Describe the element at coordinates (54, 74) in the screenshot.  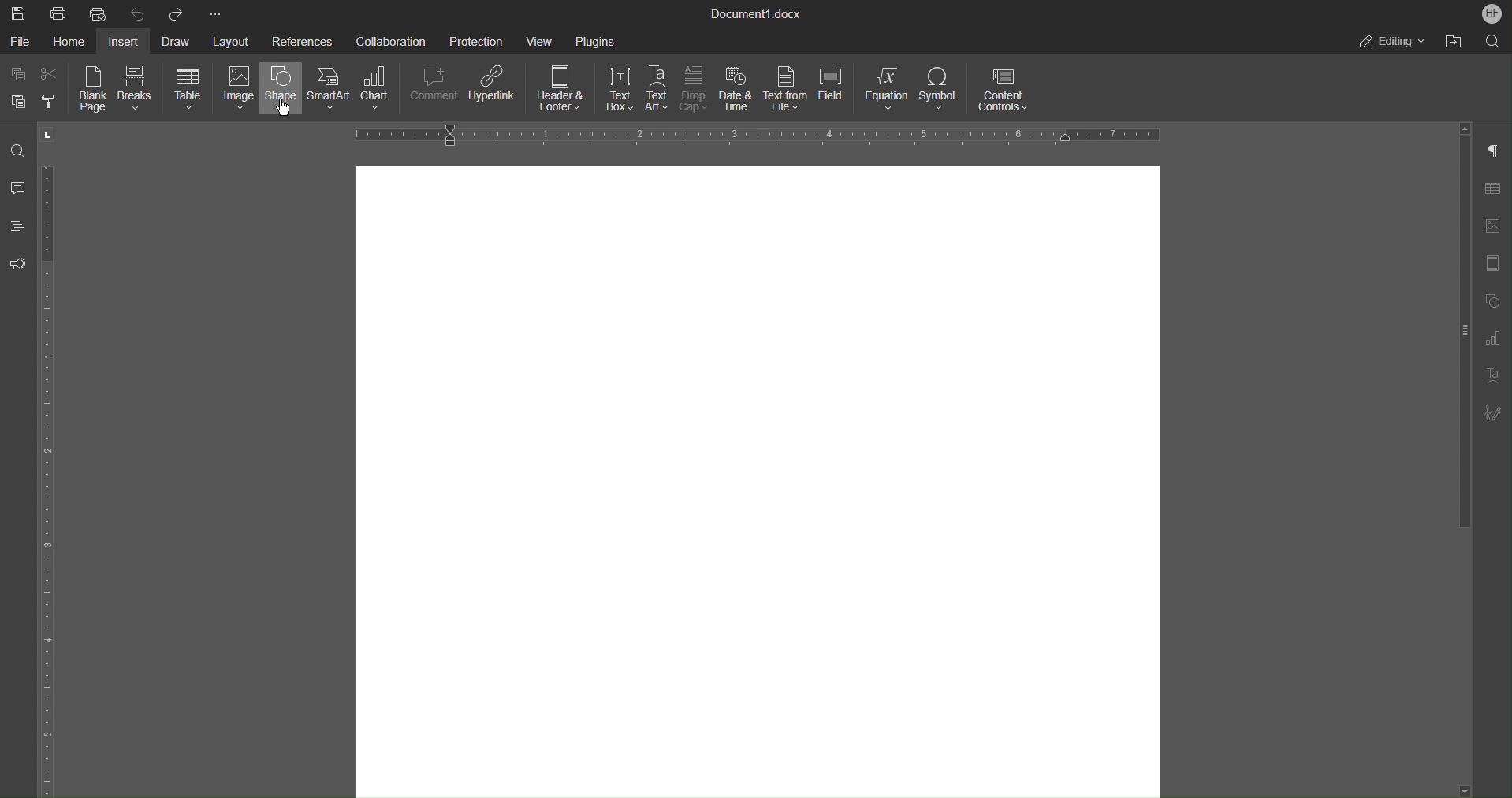
I see `Cut` at that location.